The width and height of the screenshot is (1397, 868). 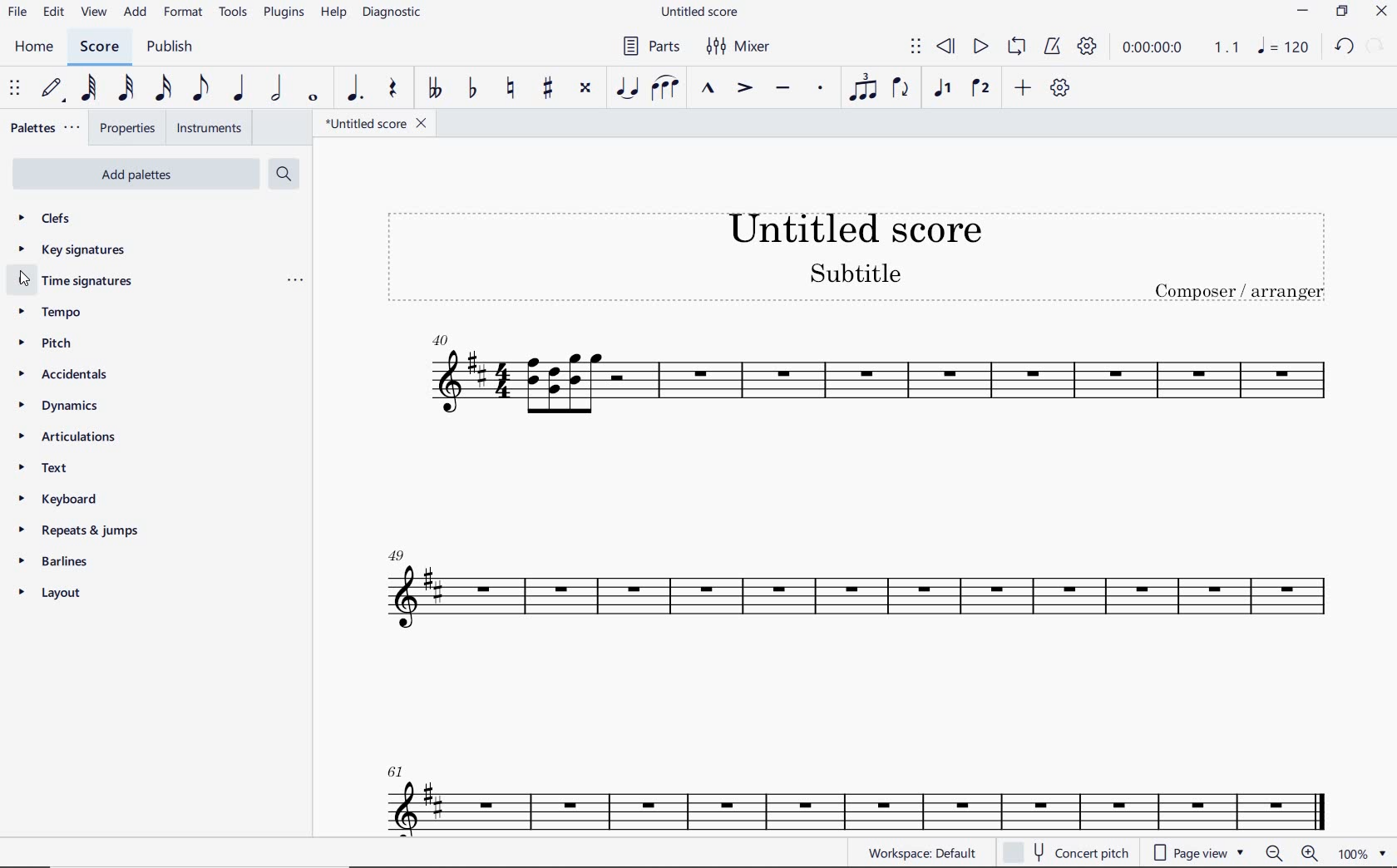 What do you see at coordinates (72, 250) in the screenshot?
I see `KEY SIGNATURES` at bounding box center [72, 250].